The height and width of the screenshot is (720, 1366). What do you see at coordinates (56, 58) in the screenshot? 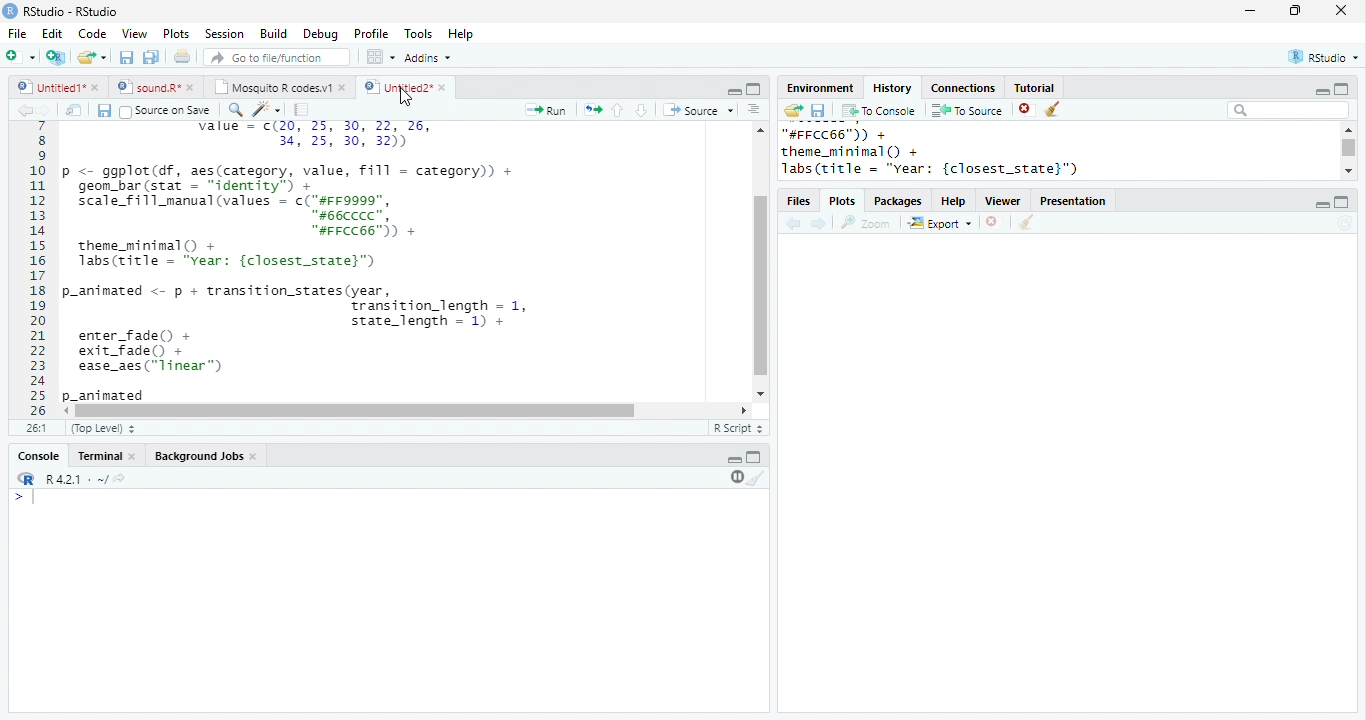
I see `New project` at bounding box center [56, 58].